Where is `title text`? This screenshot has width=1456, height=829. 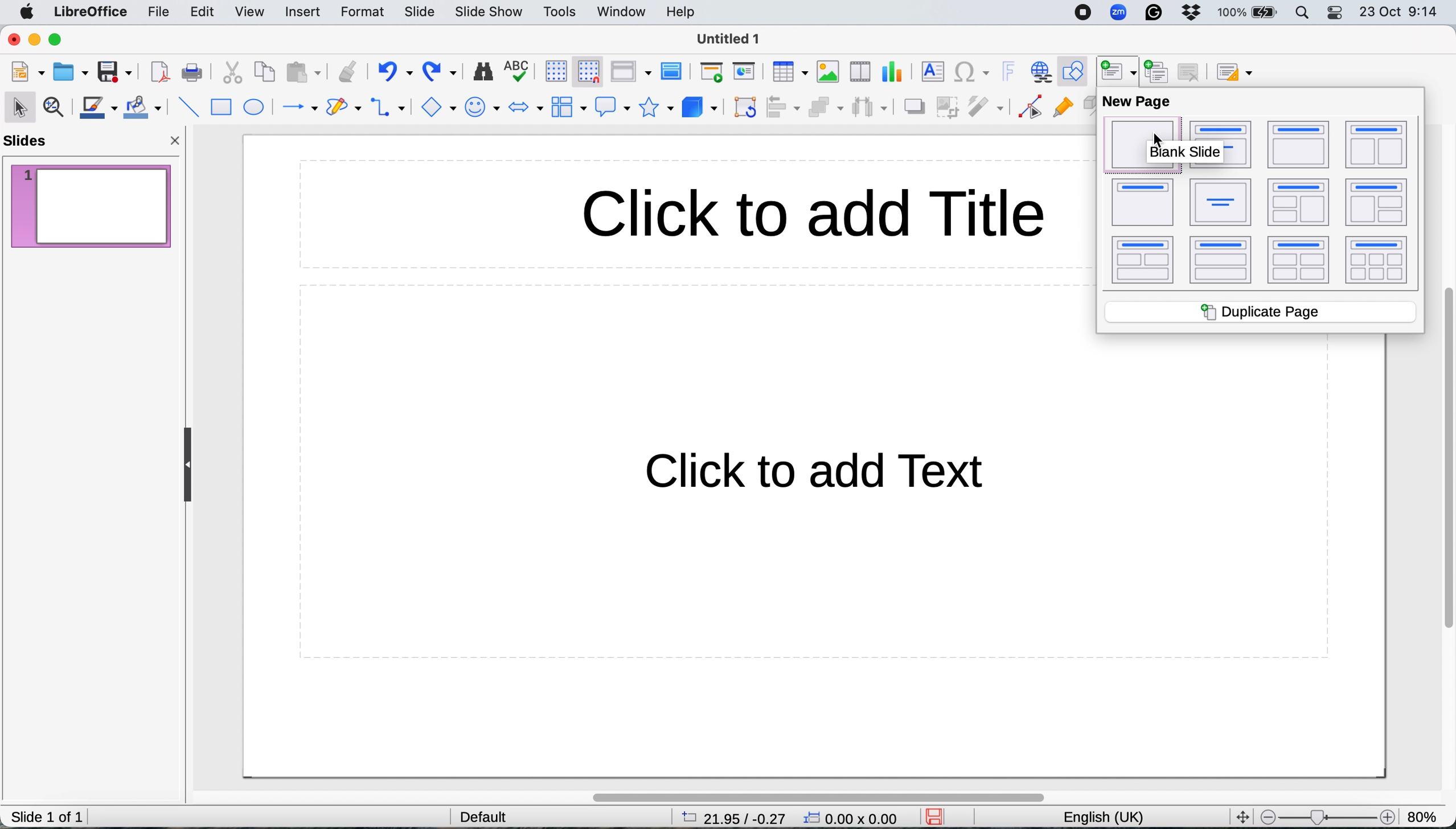
title text is located at coordinates (818, 215).